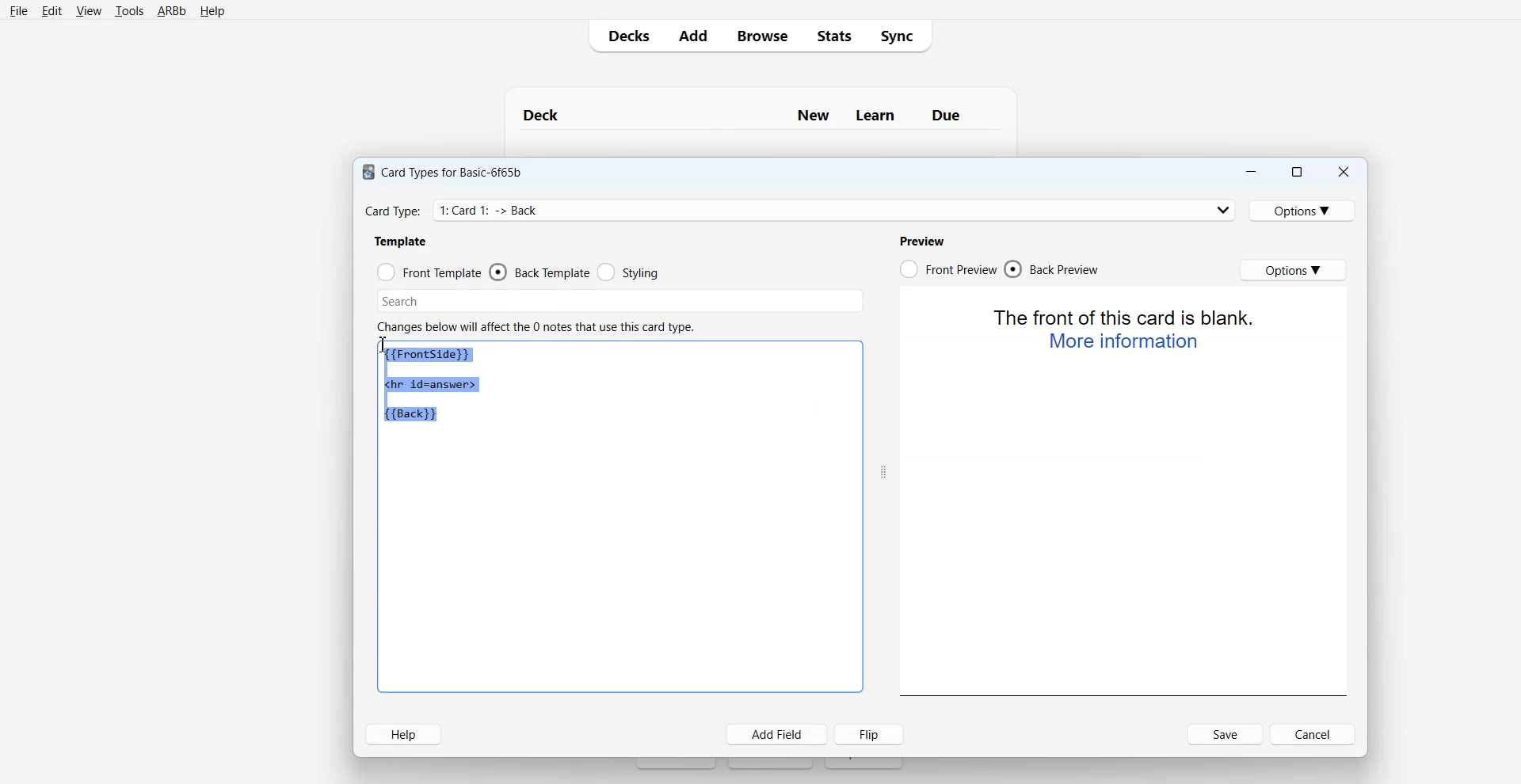  What do you see at coordinates (429, 271) in the screenshot?
I see `Front Template` at bounding box center [429, 271].